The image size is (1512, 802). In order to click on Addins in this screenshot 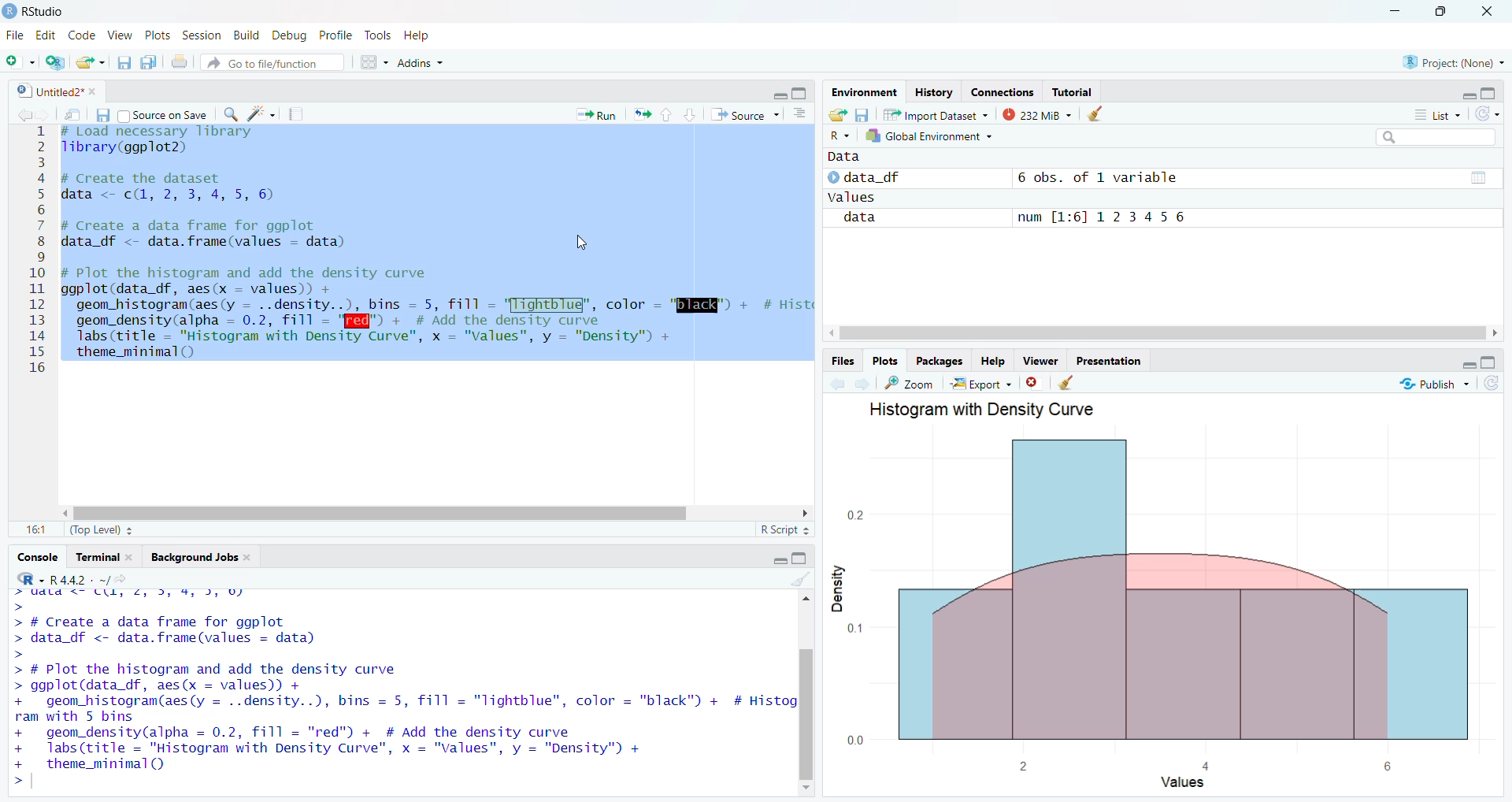, I will do `click(417, 61)`.